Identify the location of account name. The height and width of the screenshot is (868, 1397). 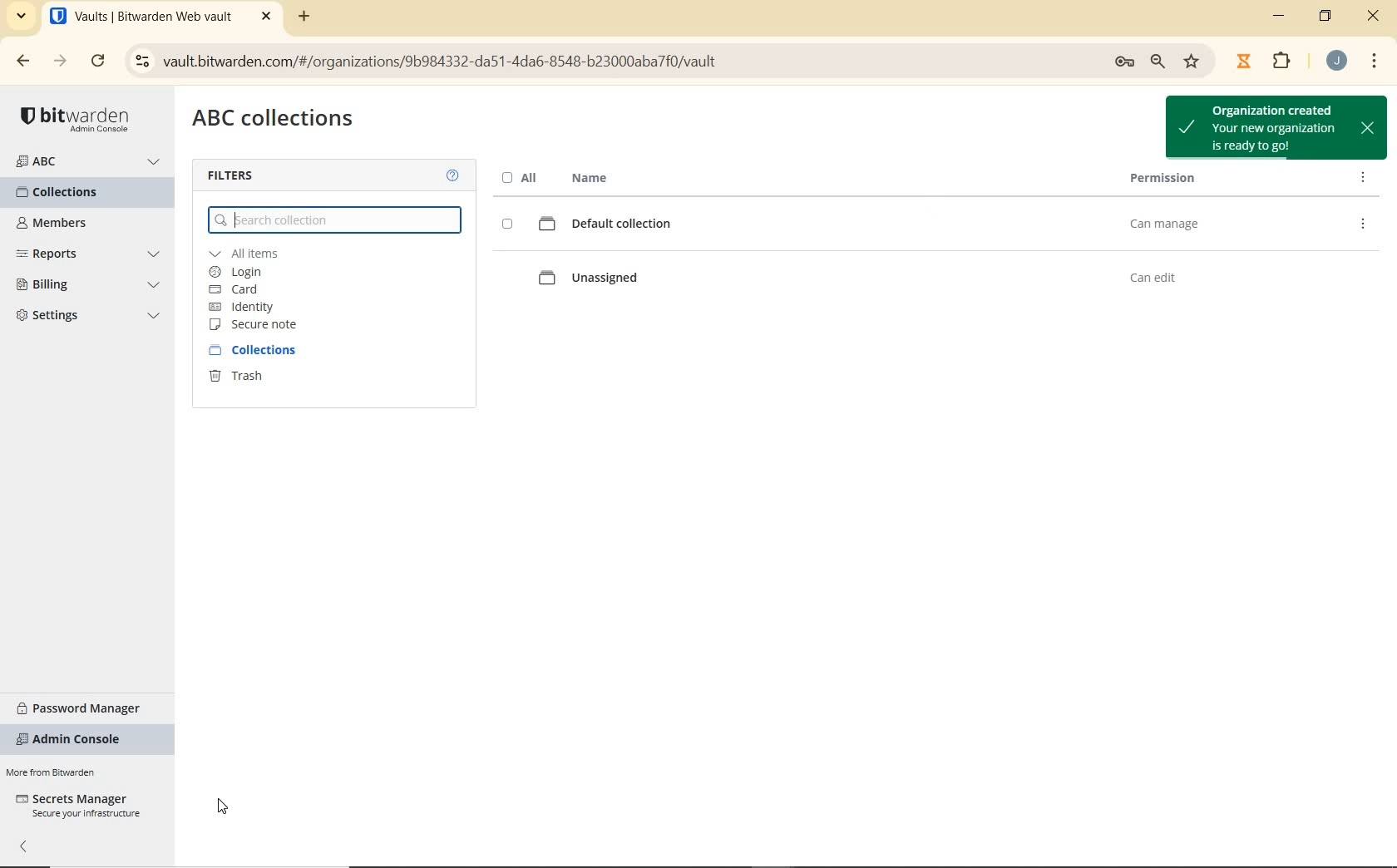
(1336, 61).